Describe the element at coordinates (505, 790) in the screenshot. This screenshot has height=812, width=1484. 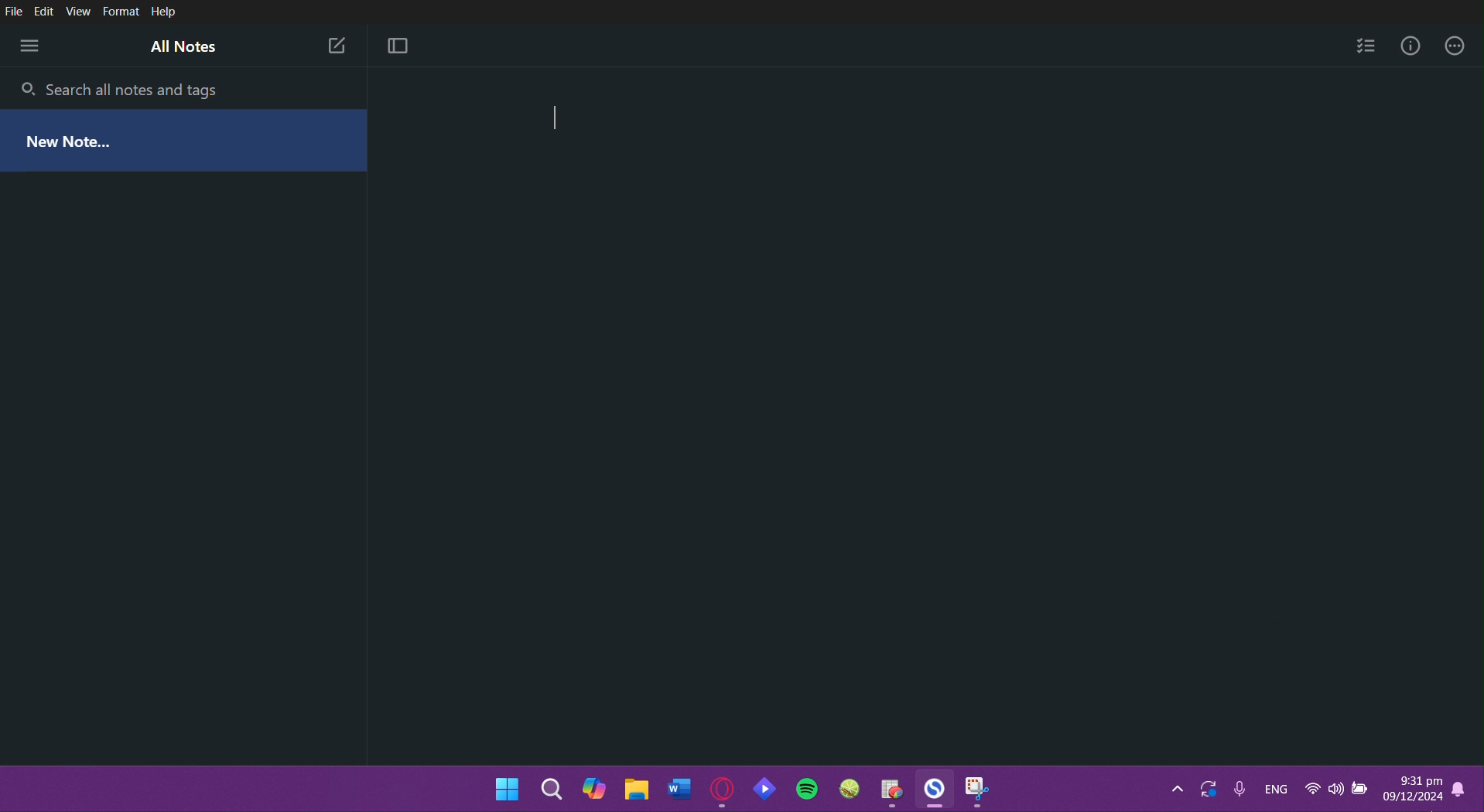
I see `start` at that location.